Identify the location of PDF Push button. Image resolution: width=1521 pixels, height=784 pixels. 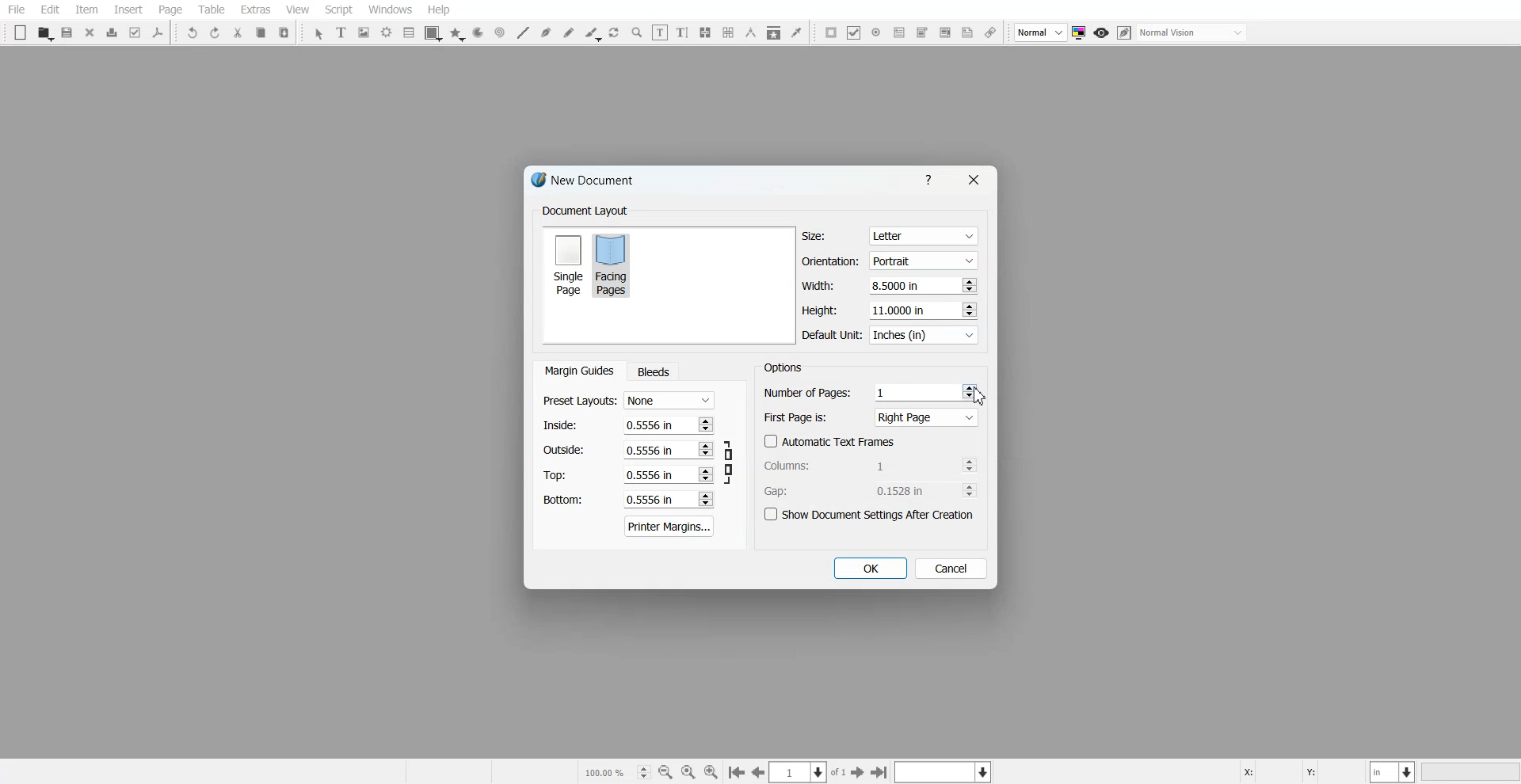
(831, 32).